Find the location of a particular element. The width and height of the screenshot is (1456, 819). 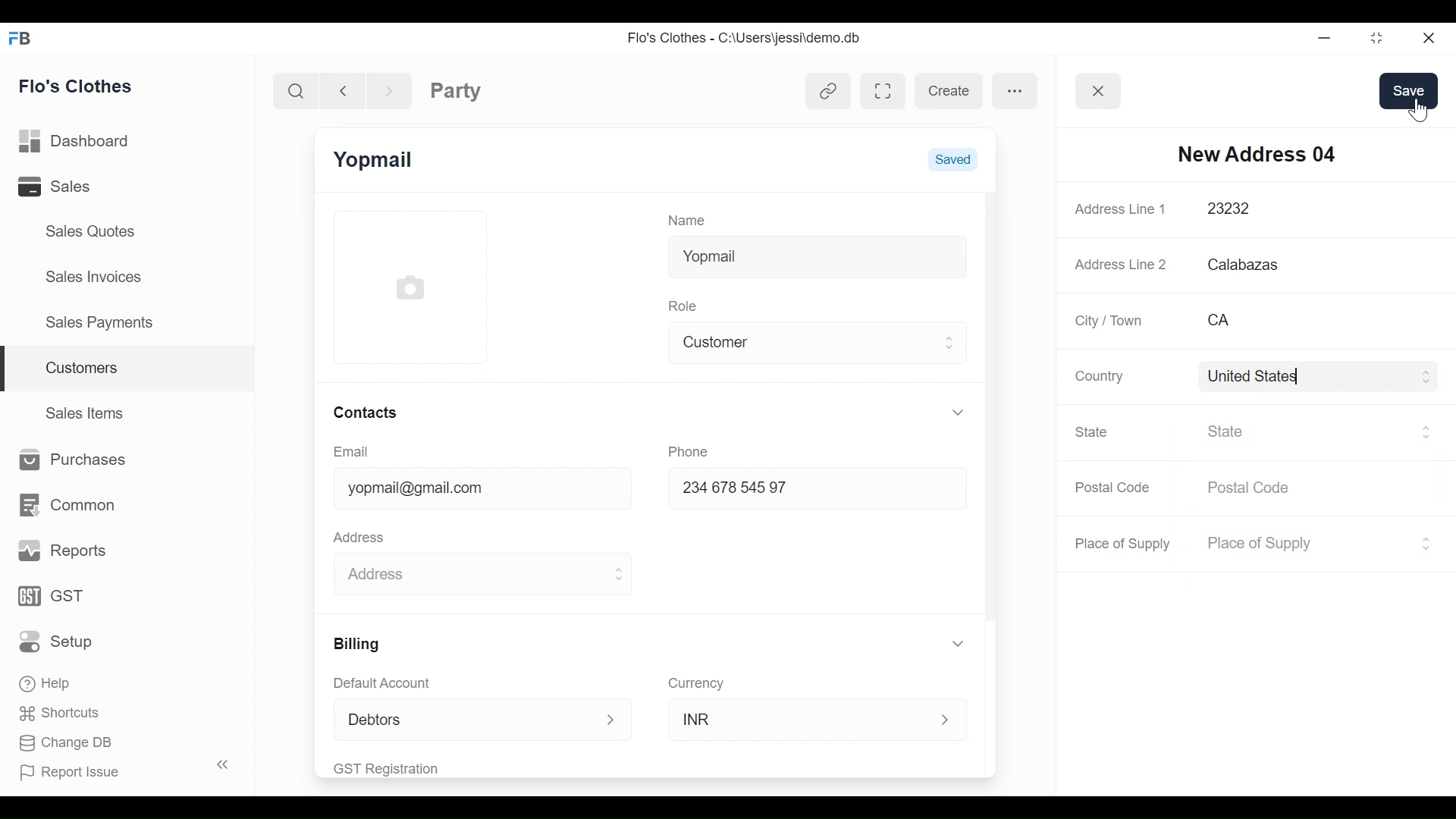

Sales Quotes is located at coordinates (92, 231).